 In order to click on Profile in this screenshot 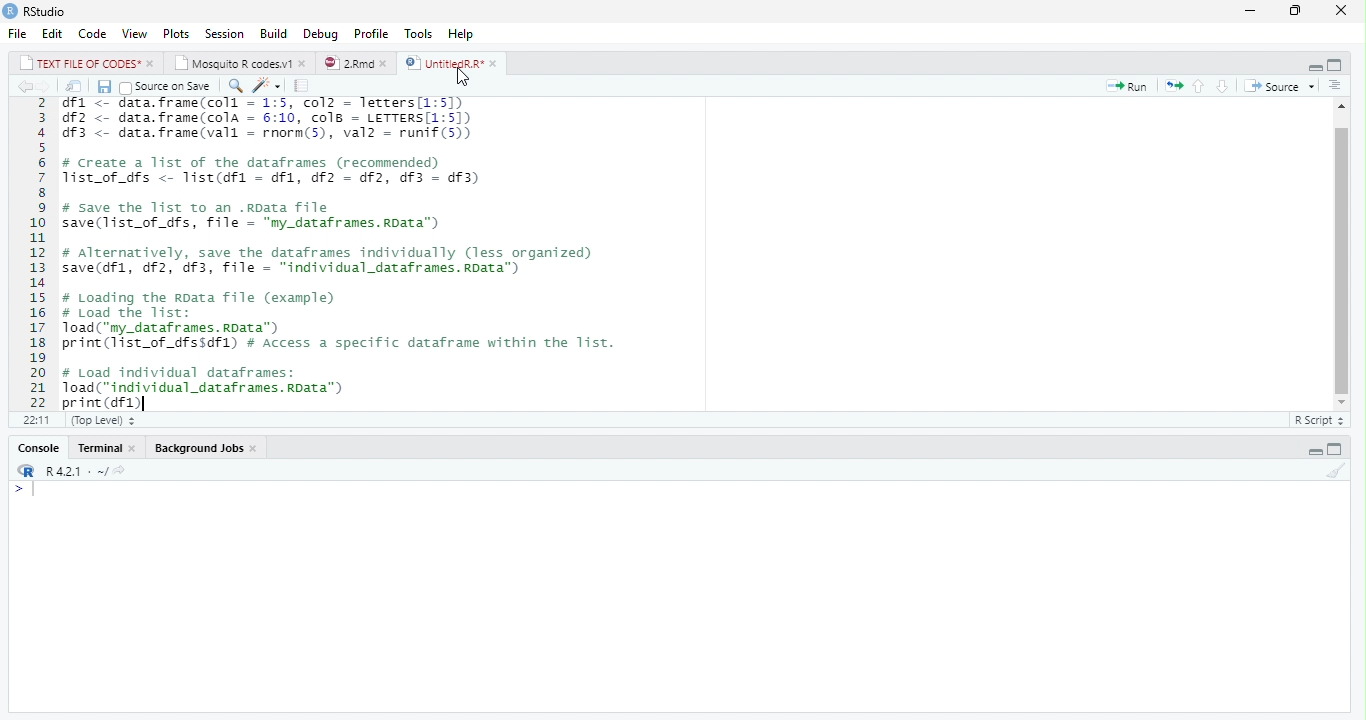, I will do `click(372, 33)`.